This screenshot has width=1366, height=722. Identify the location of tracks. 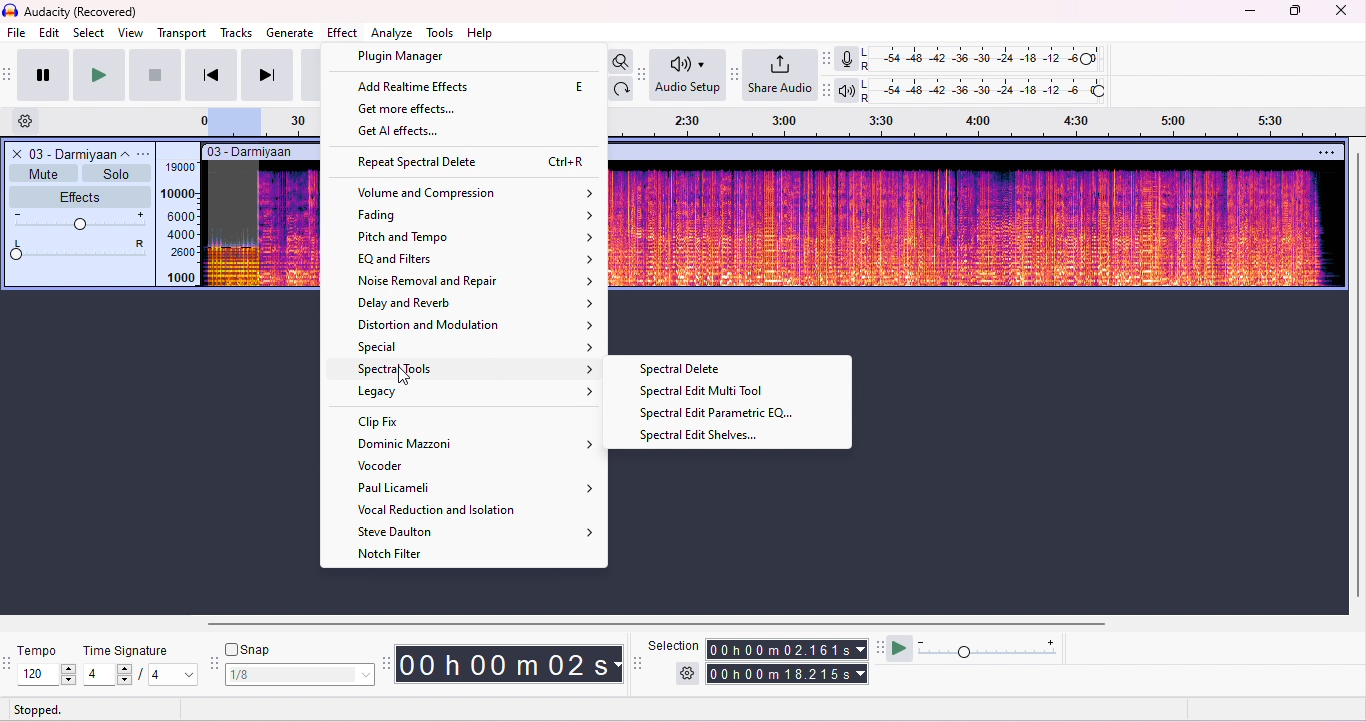
(237, 34).